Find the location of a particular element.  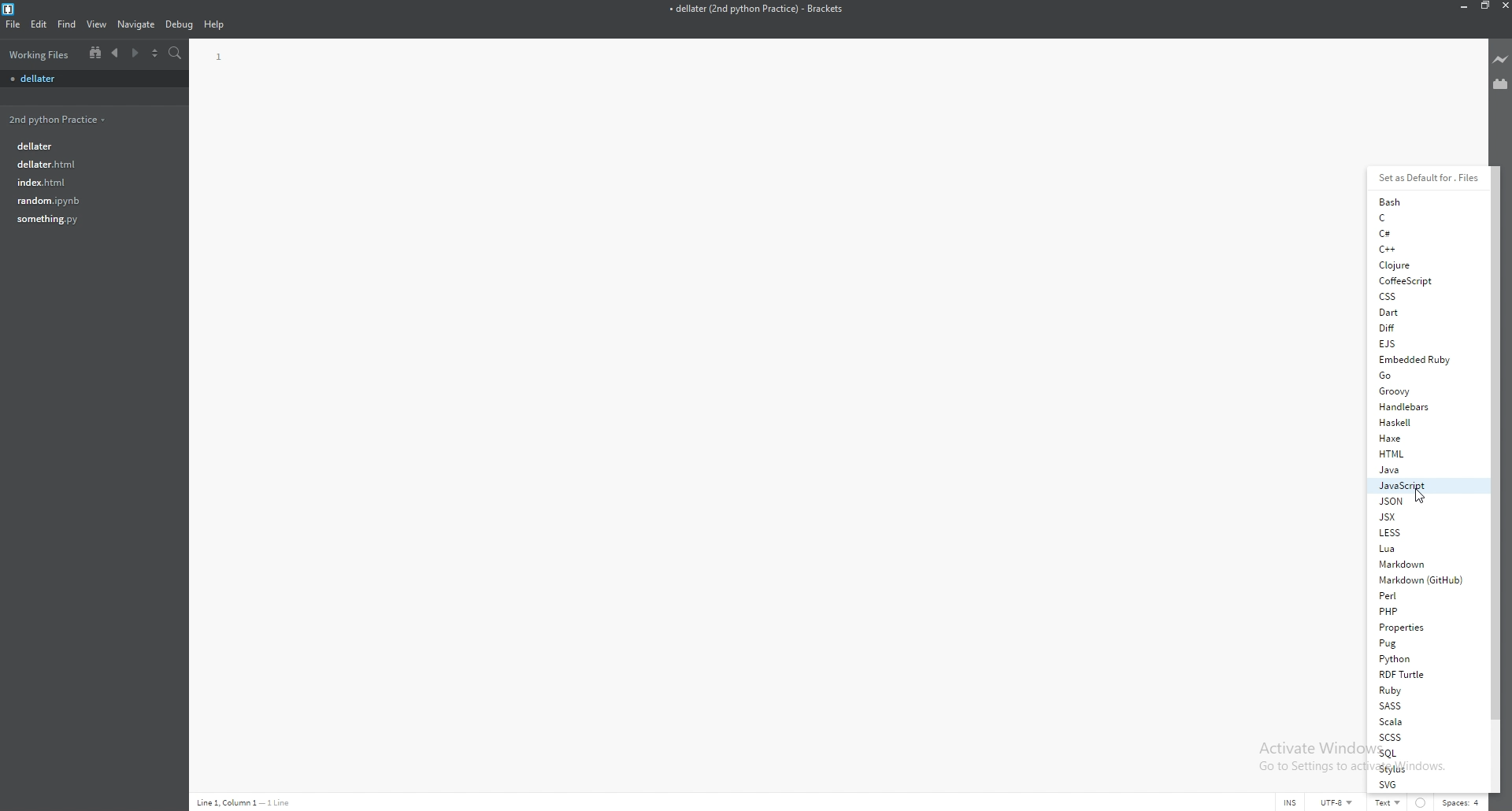

dart is located at coordinates (1421, 312).